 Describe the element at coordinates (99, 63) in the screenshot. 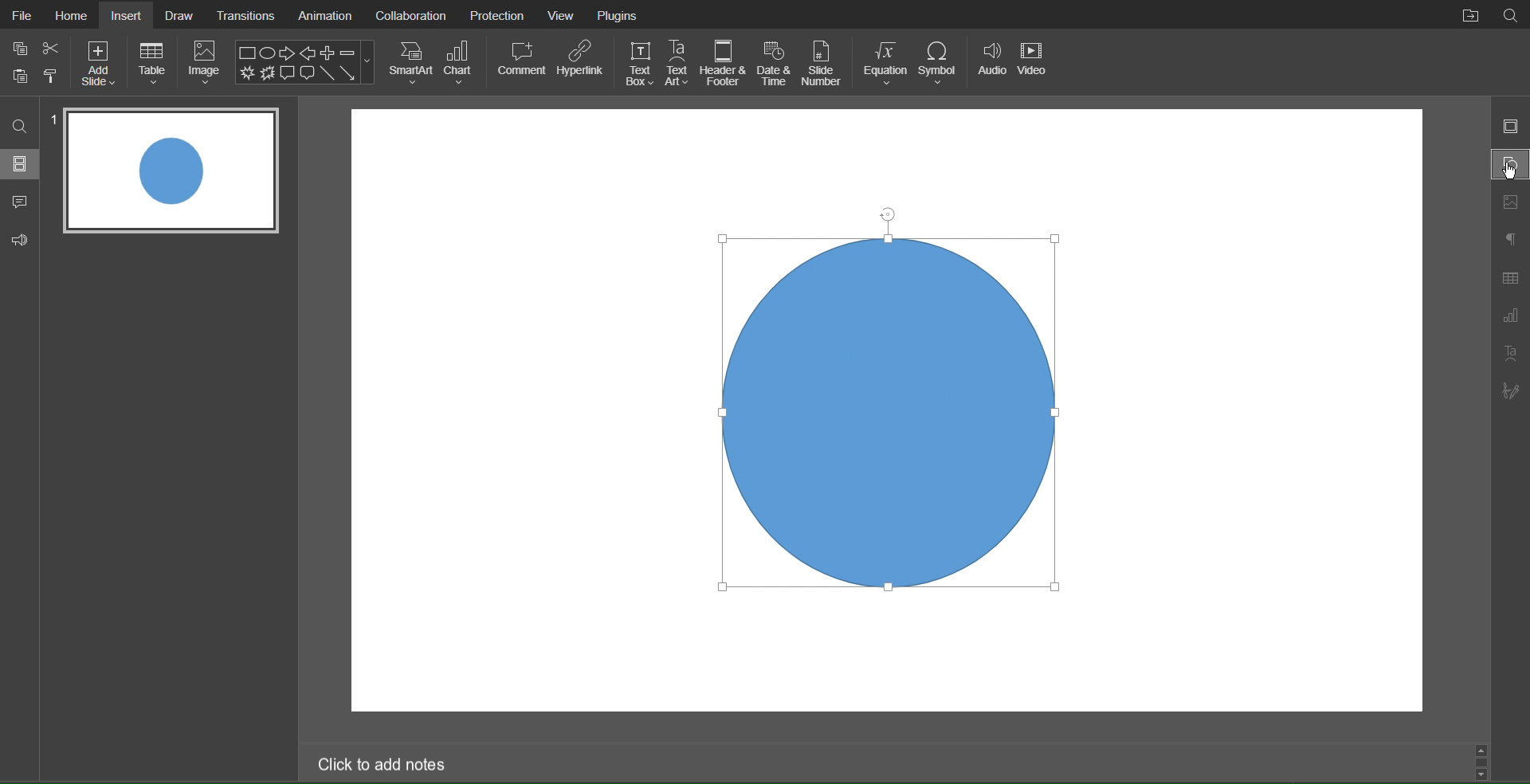

I see `Add Slide` at that location.